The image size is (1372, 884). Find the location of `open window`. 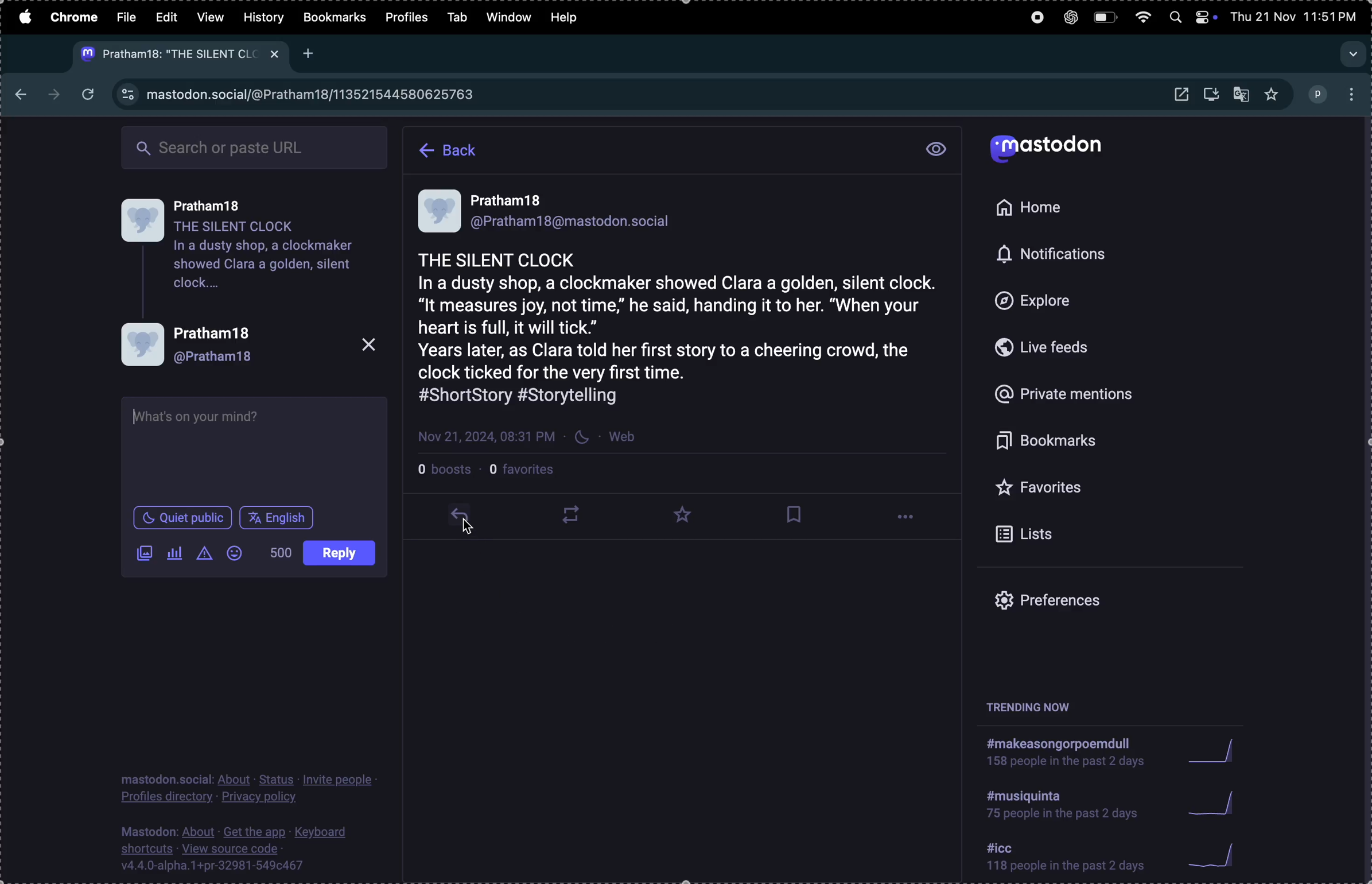

open window is located at coordinates (1179, 95).